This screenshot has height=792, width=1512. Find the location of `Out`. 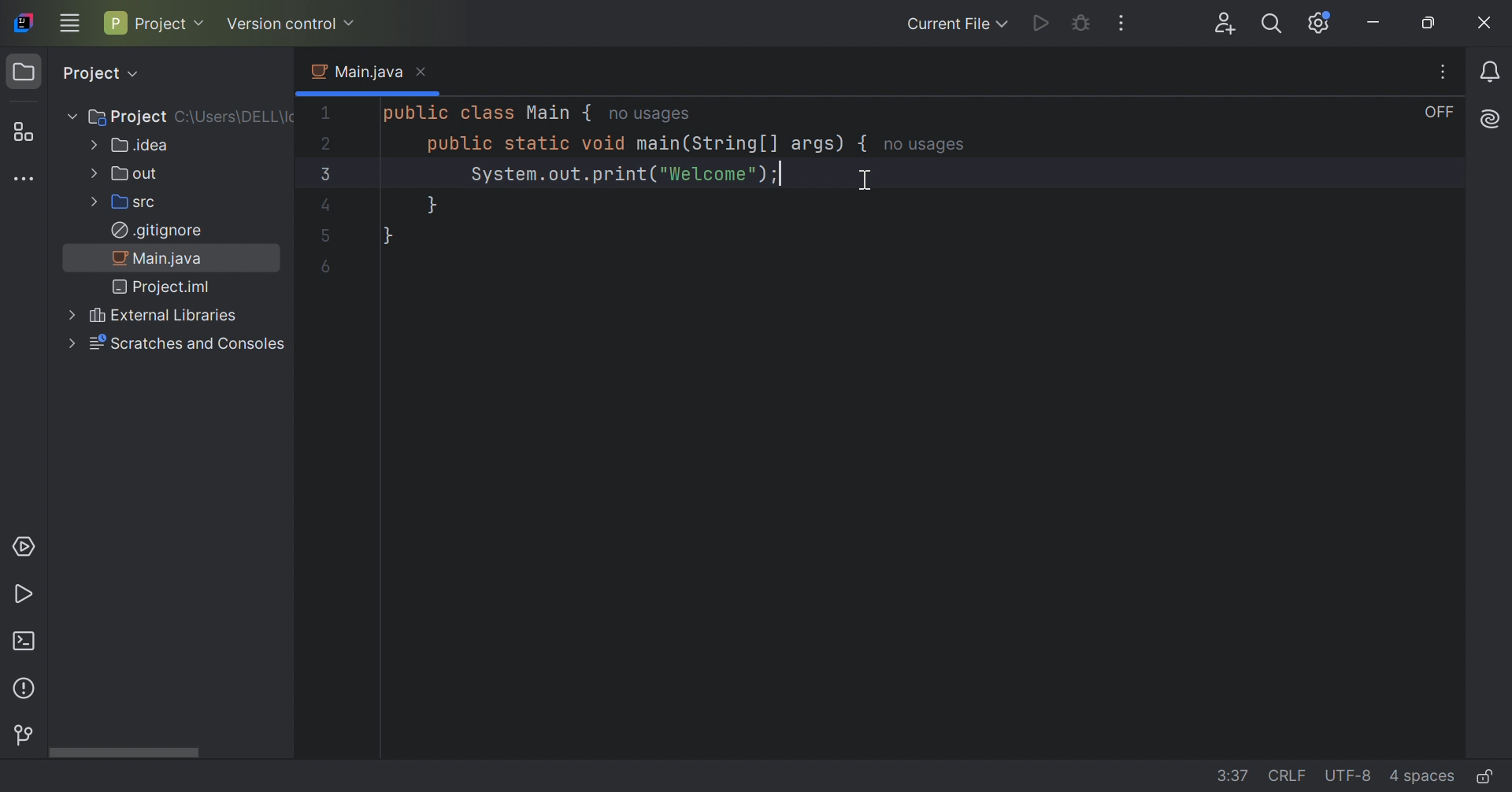

Out is located at coordinates (124, 174).